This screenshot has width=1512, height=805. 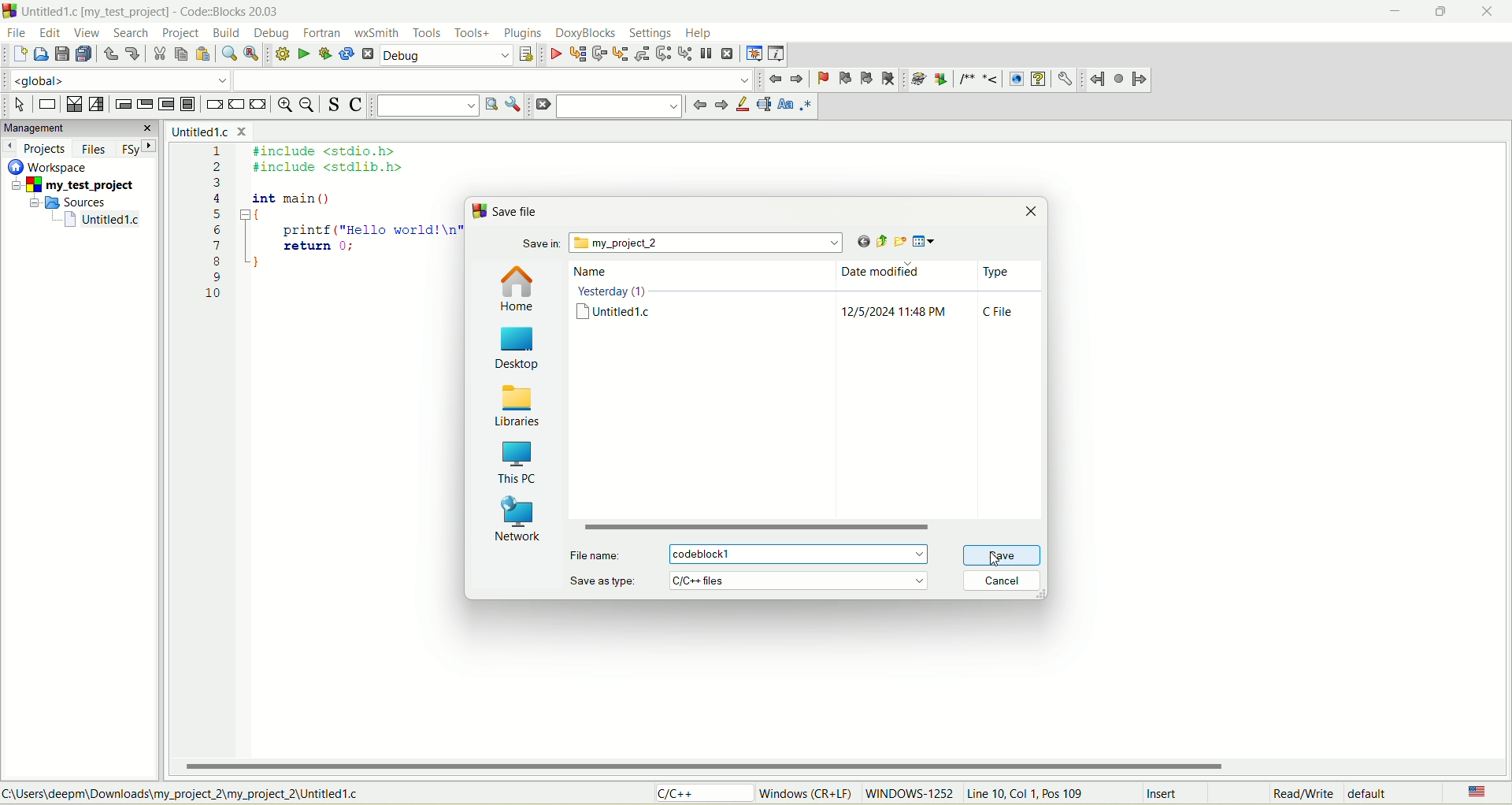 What do you see at coordinates (51, 166) in the screenshot?
I see `workspace` at bounding box center [51, 166].